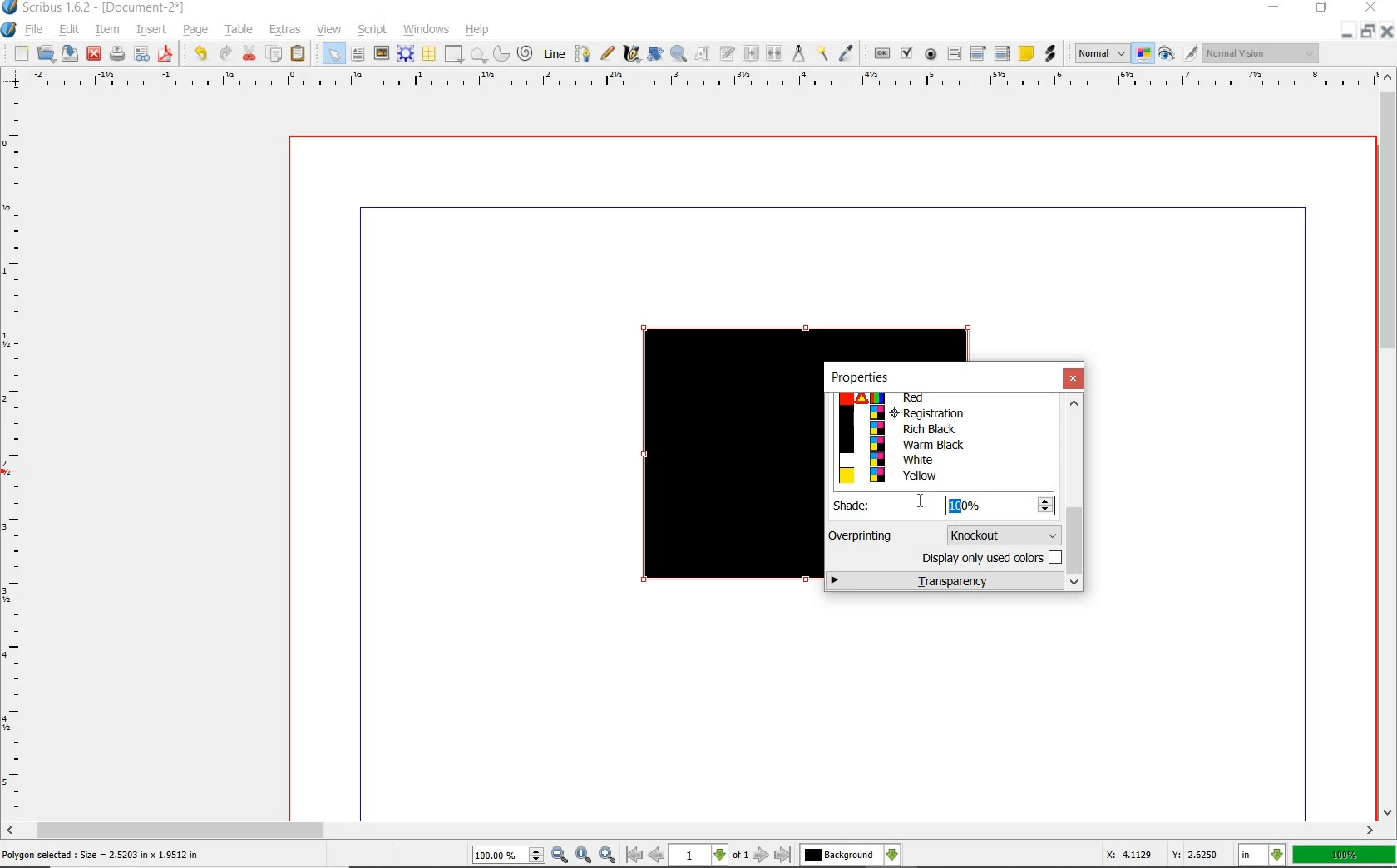  What do you see at coordinates (1385, 33) in the screenshot?
I see `CLOSE` at bounding box center [1385, 33].